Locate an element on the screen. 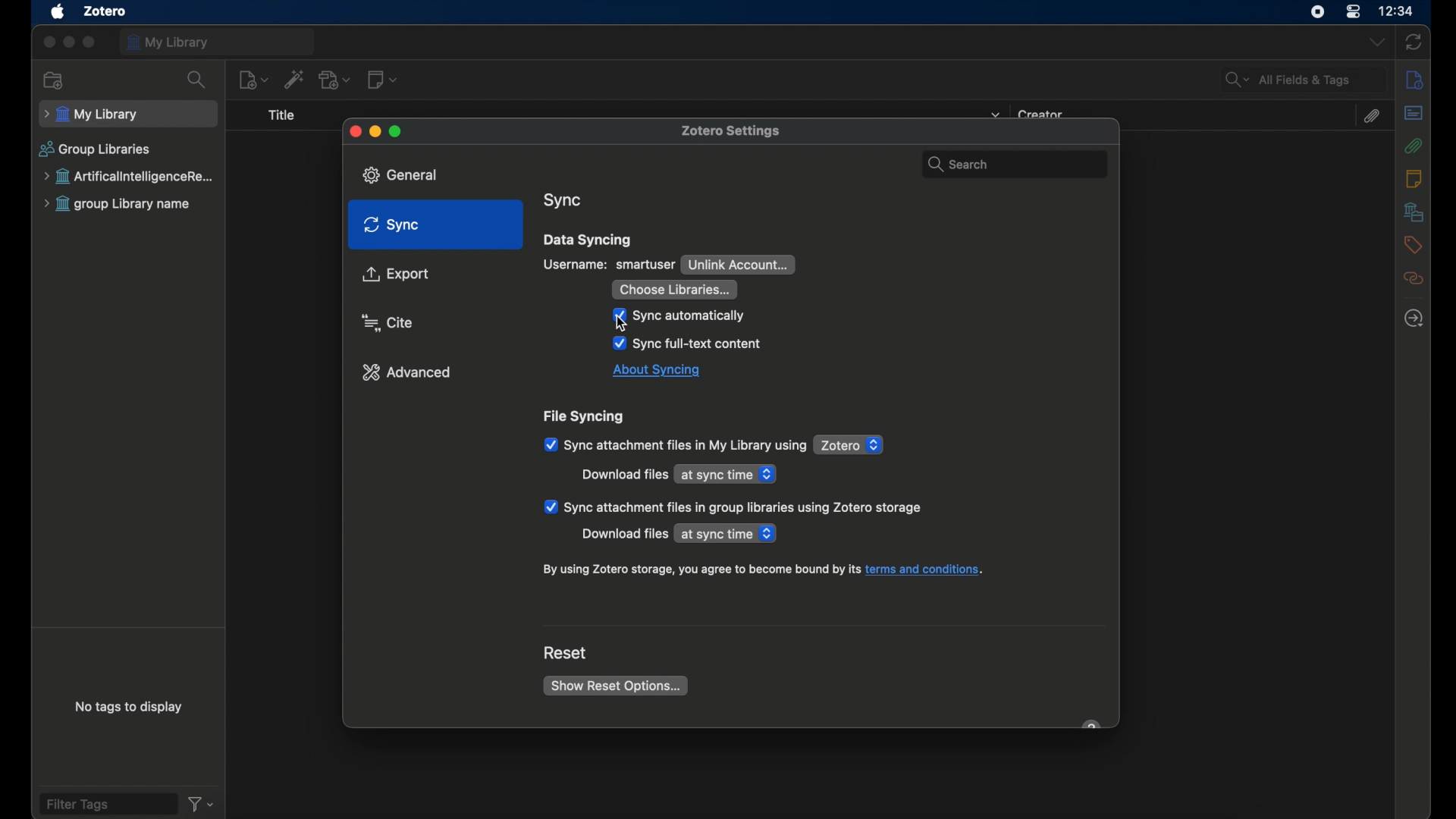  filter tags is located at coordinates (107, 804).